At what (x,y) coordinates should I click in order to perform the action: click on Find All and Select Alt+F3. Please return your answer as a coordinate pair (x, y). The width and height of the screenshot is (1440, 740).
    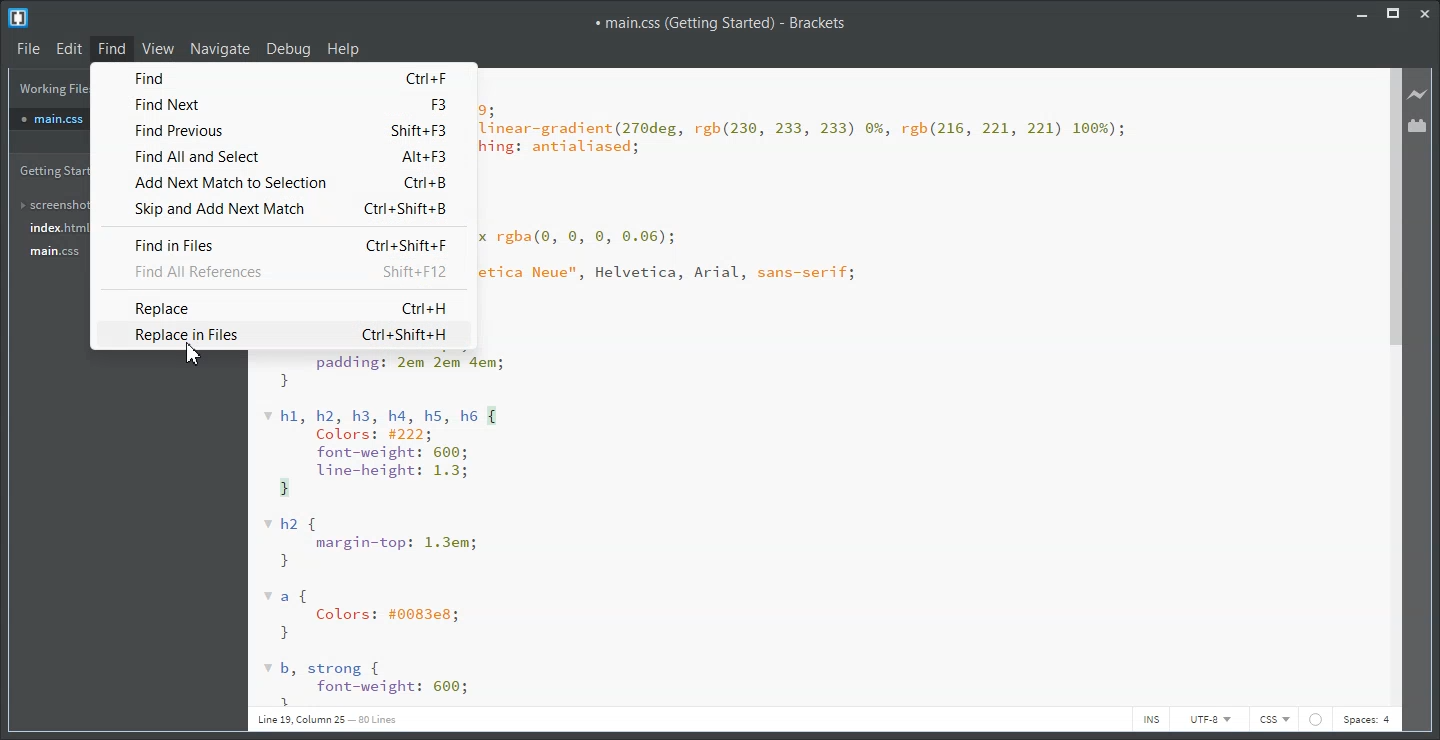
    Looking at the image, I should click on (289, 157).